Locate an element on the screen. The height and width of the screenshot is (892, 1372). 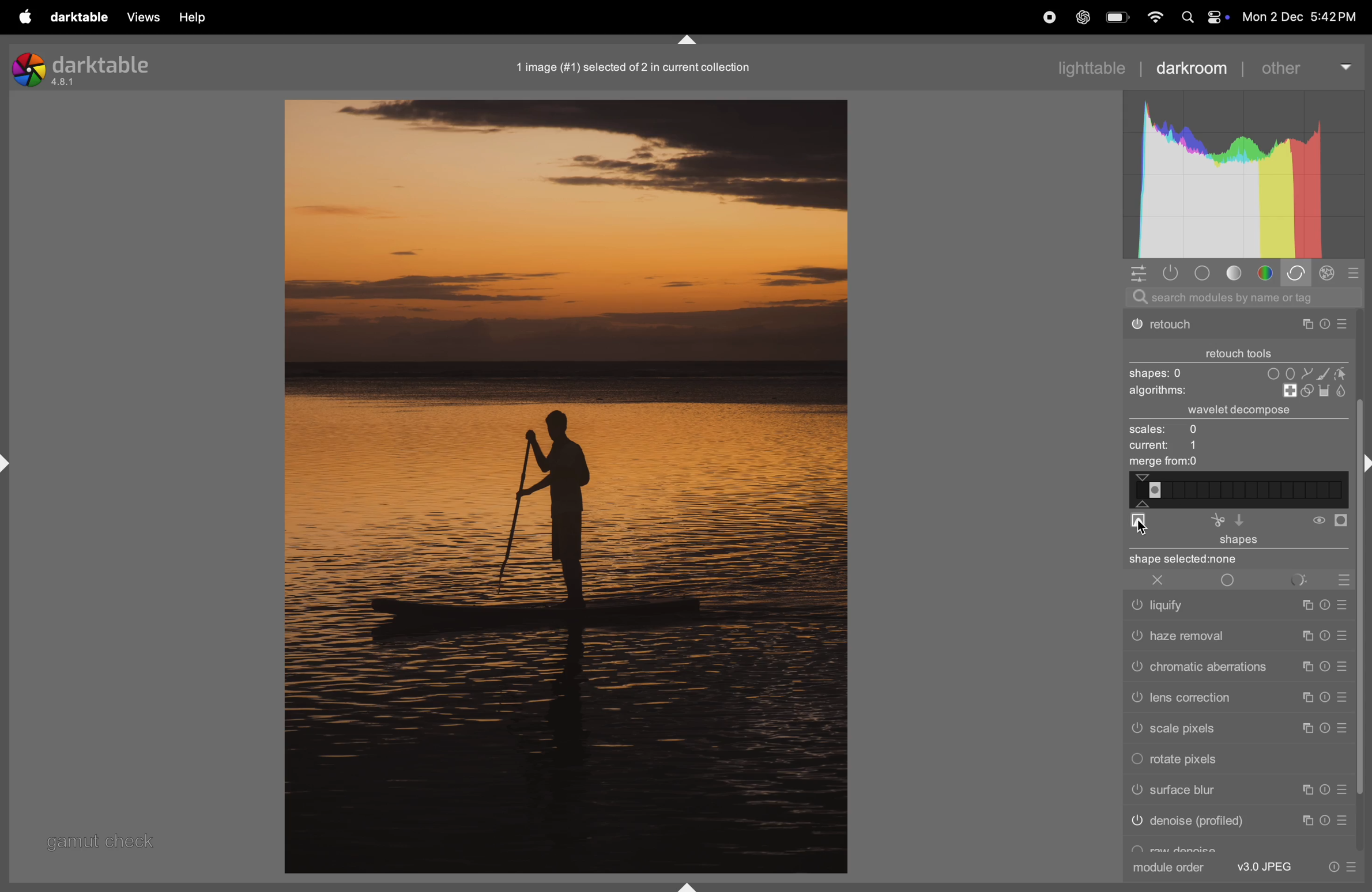
image is located at coordinates (564, 486).